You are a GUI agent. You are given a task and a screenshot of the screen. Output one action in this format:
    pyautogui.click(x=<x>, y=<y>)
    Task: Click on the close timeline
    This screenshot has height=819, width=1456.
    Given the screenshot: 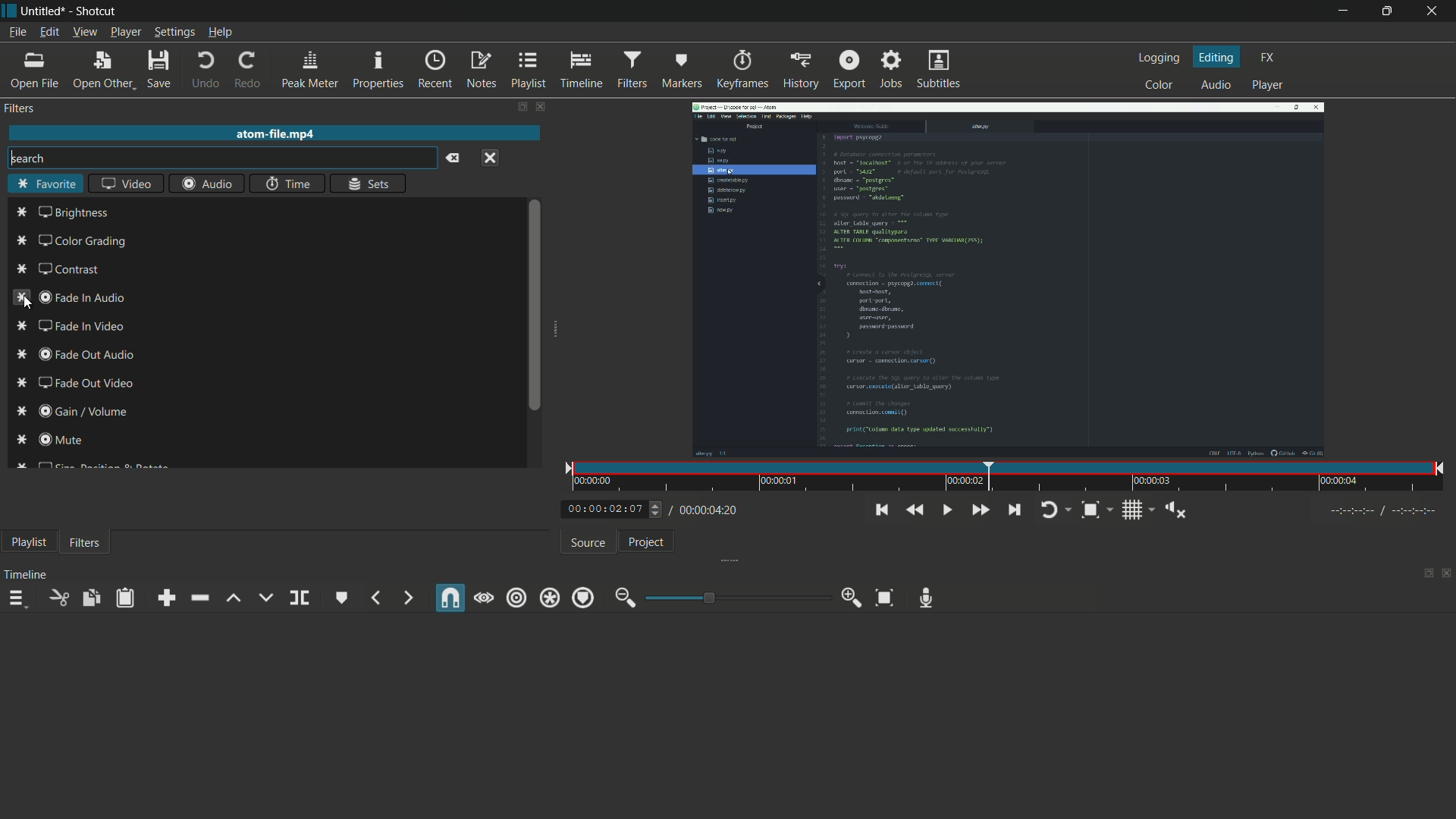 What is the action you would take?
    pyautogui.click(x=1447, y=575)
    